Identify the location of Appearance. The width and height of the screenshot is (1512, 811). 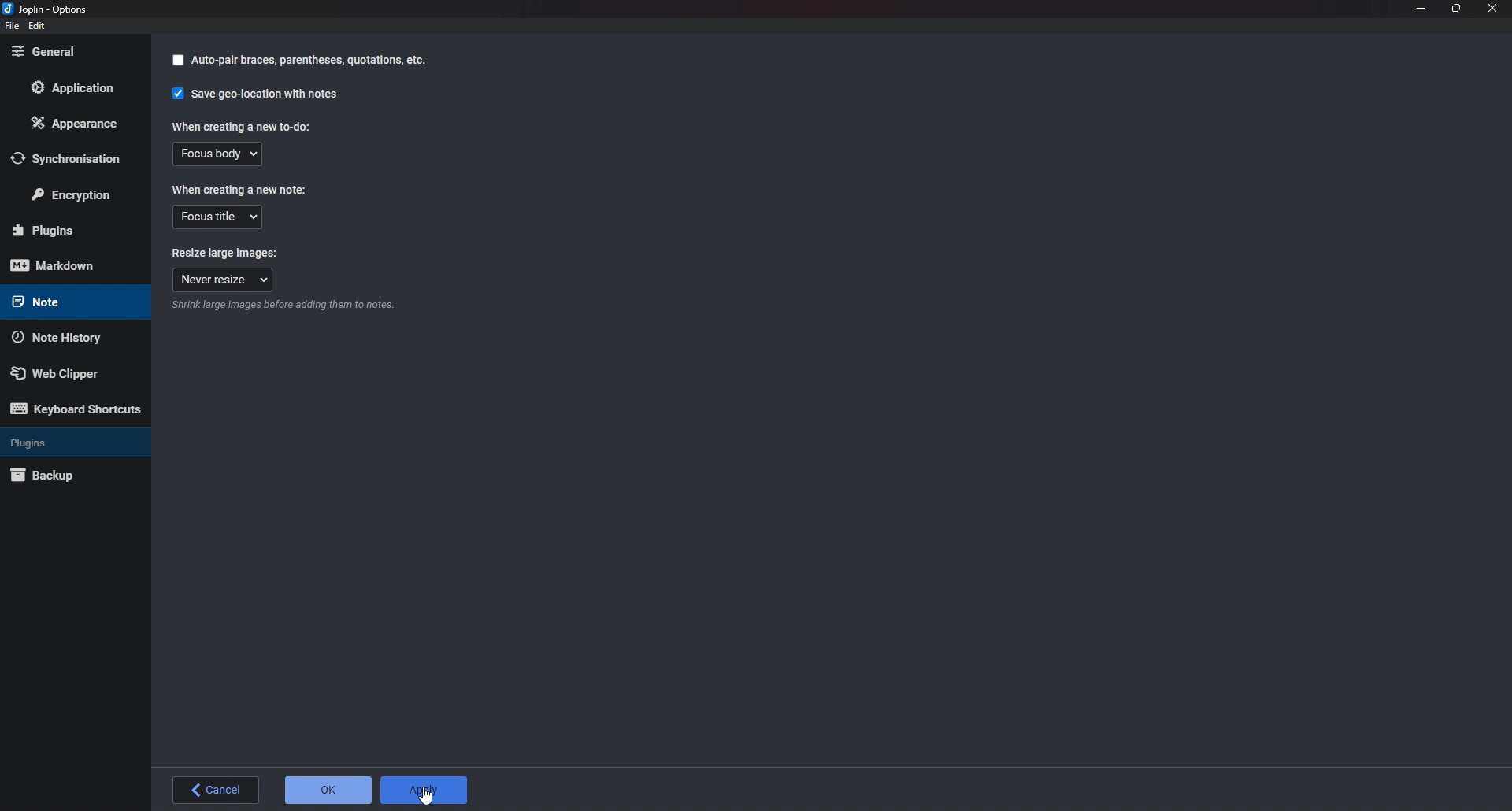
(70, 124).